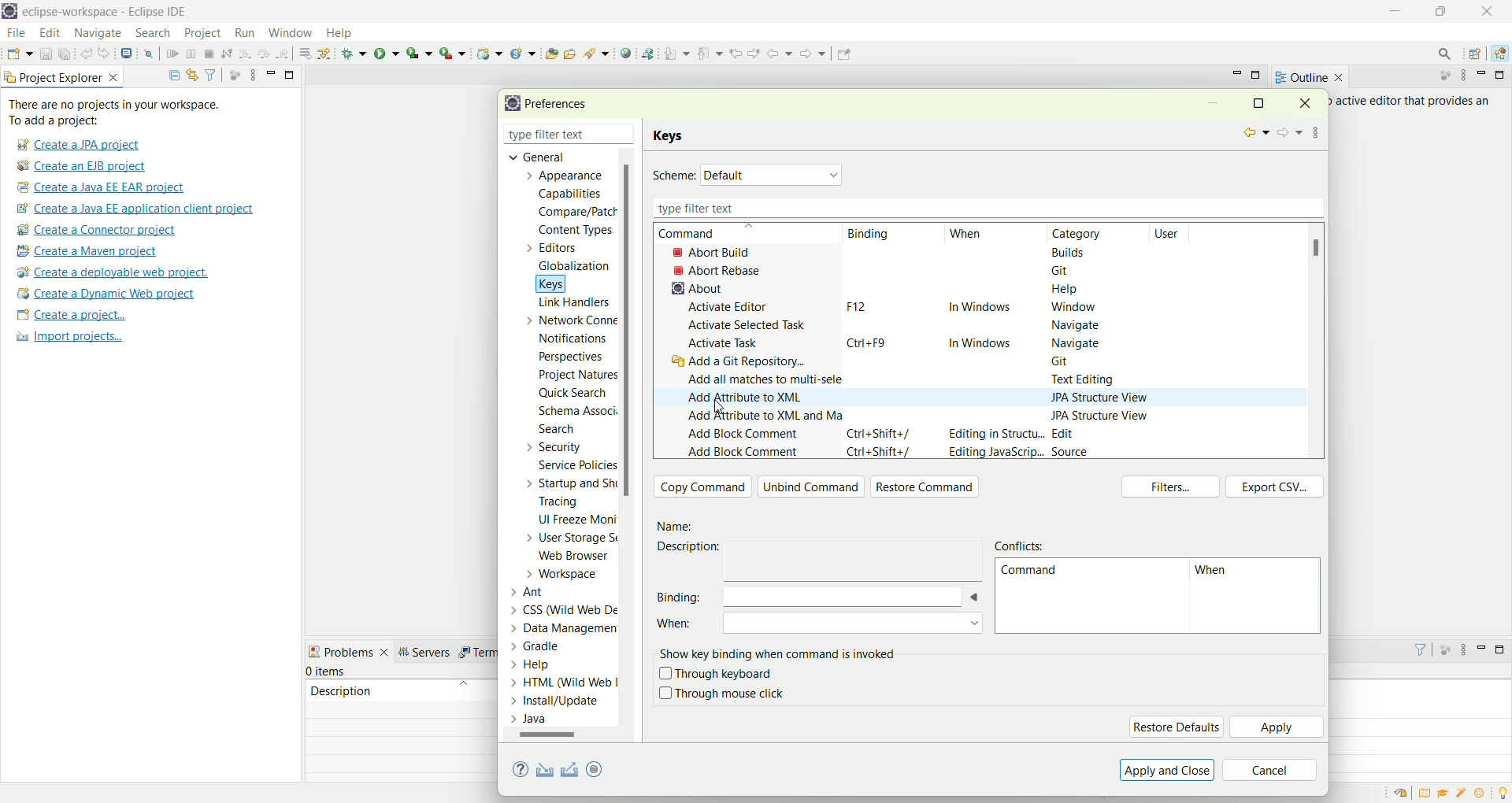 The image size is (1512, 803). Describe the element at coordinates (550, 136) in the screenshot. I see `type filter text` at that location.